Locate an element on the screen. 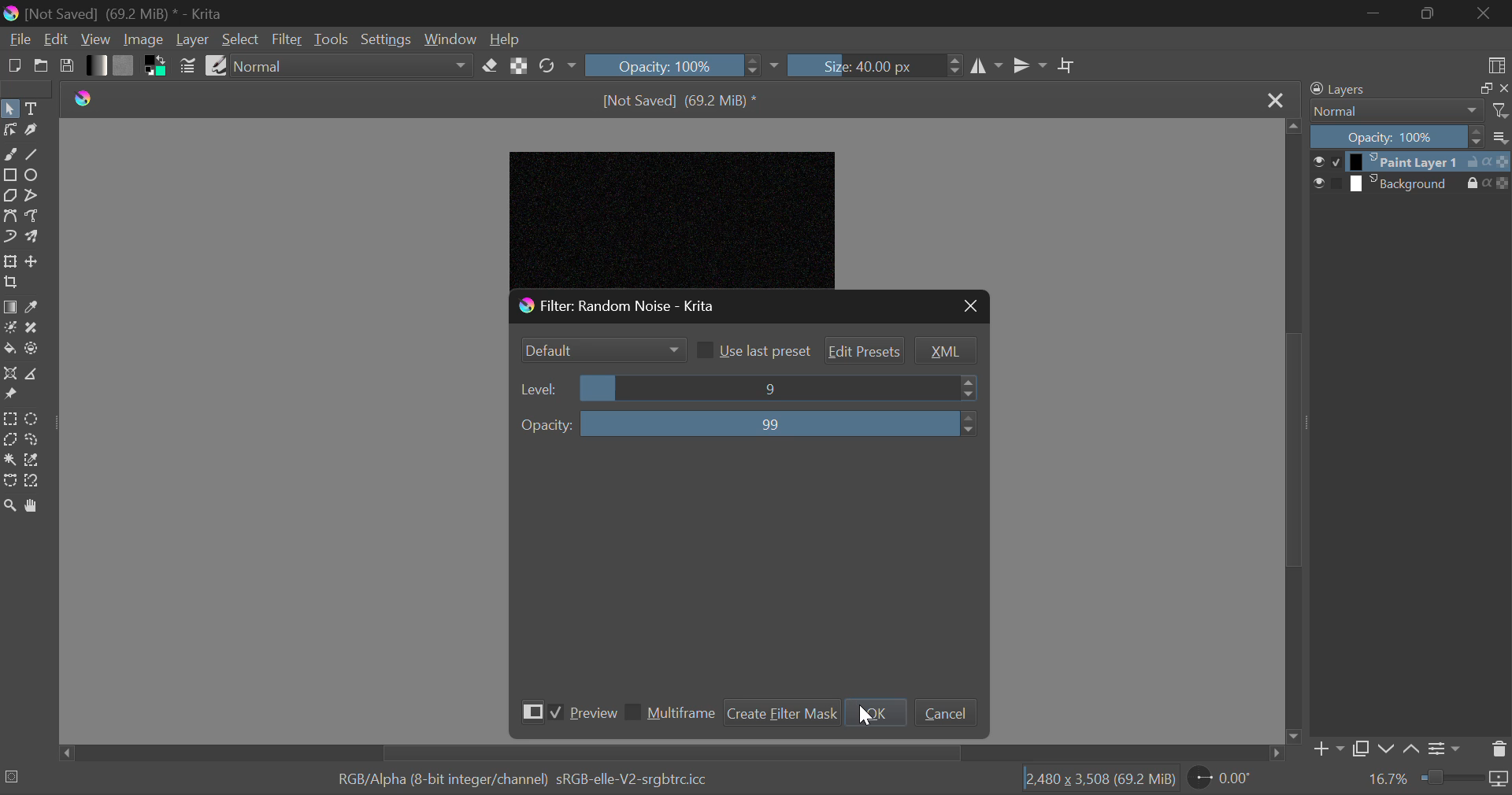  Bezier Curve is located at coordinates (9, 481).